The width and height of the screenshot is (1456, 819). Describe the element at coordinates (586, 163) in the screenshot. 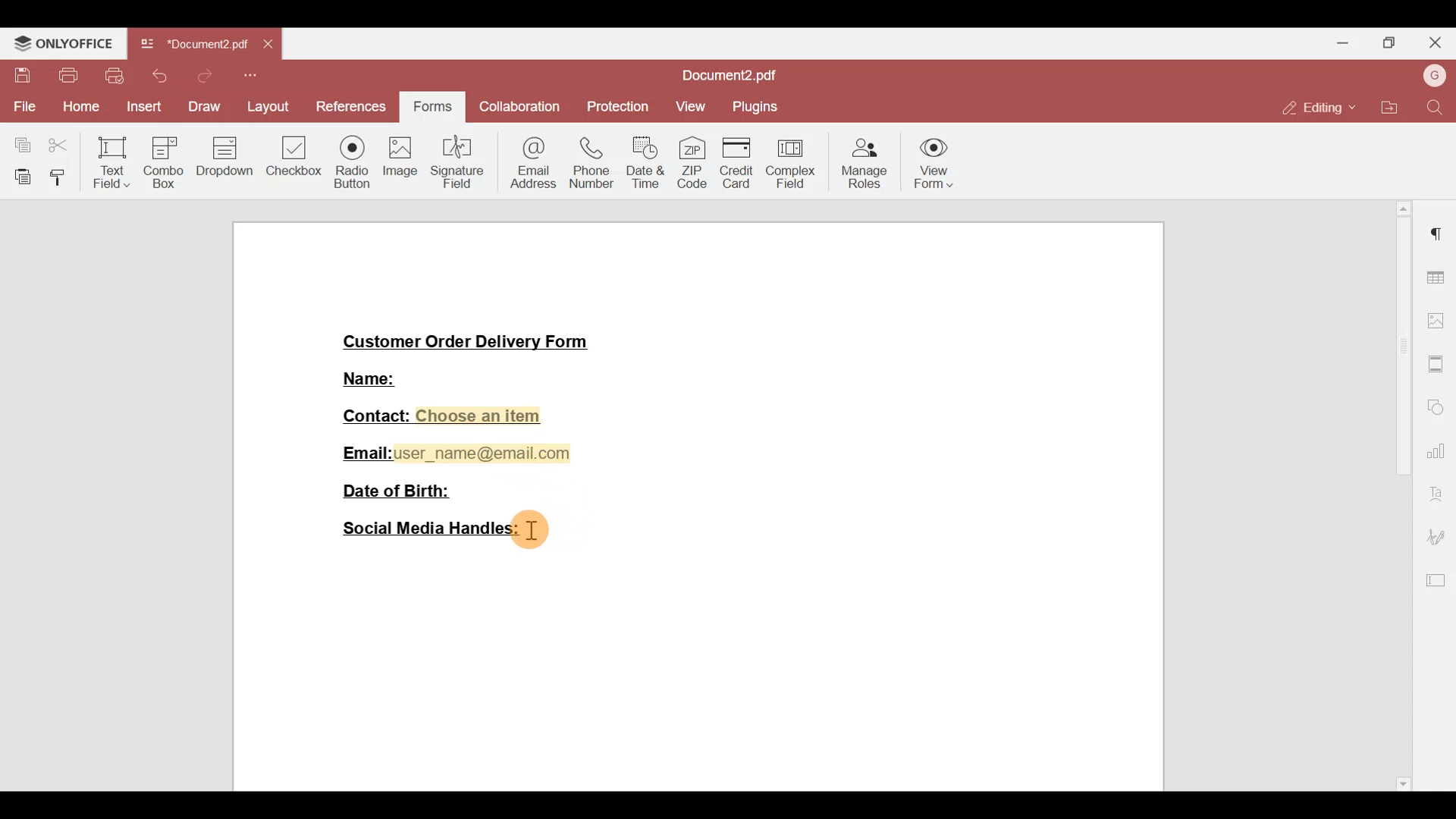

I see `Phone number` at that location.